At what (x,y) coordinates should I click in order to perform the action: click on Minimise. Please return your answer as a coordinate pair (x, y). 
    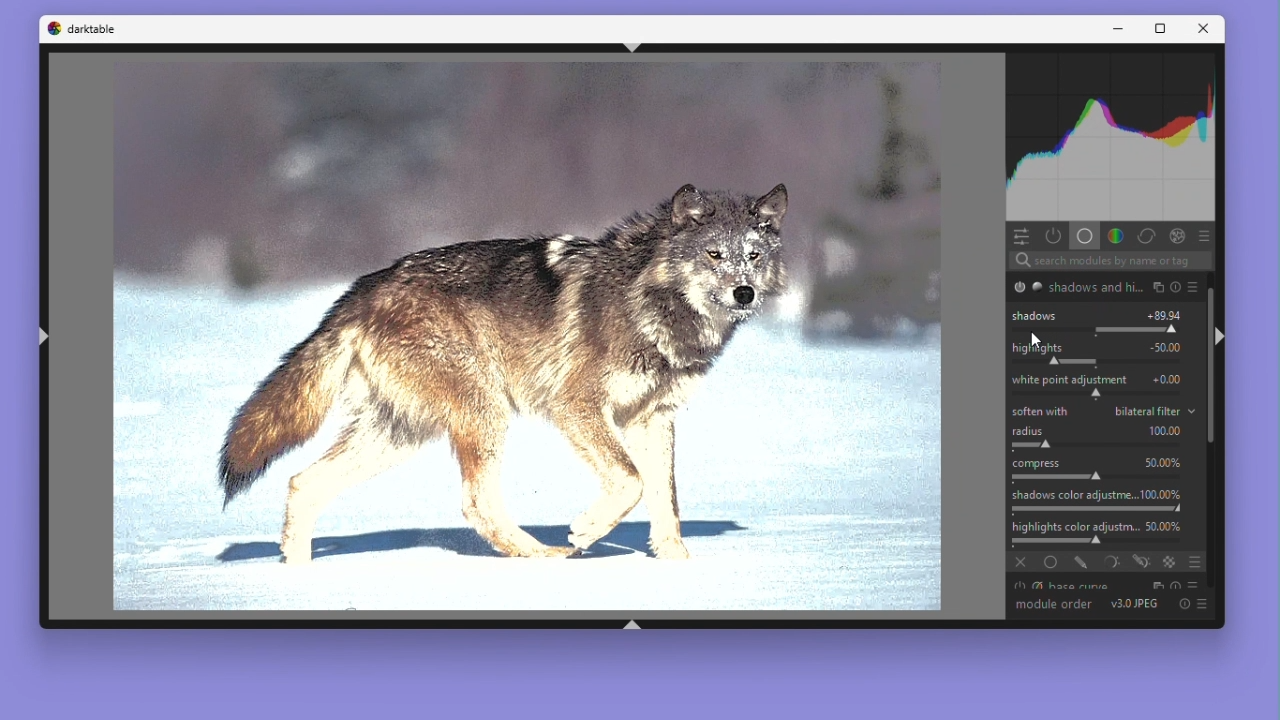
    Looking at the image, I should click on (1125, 30).